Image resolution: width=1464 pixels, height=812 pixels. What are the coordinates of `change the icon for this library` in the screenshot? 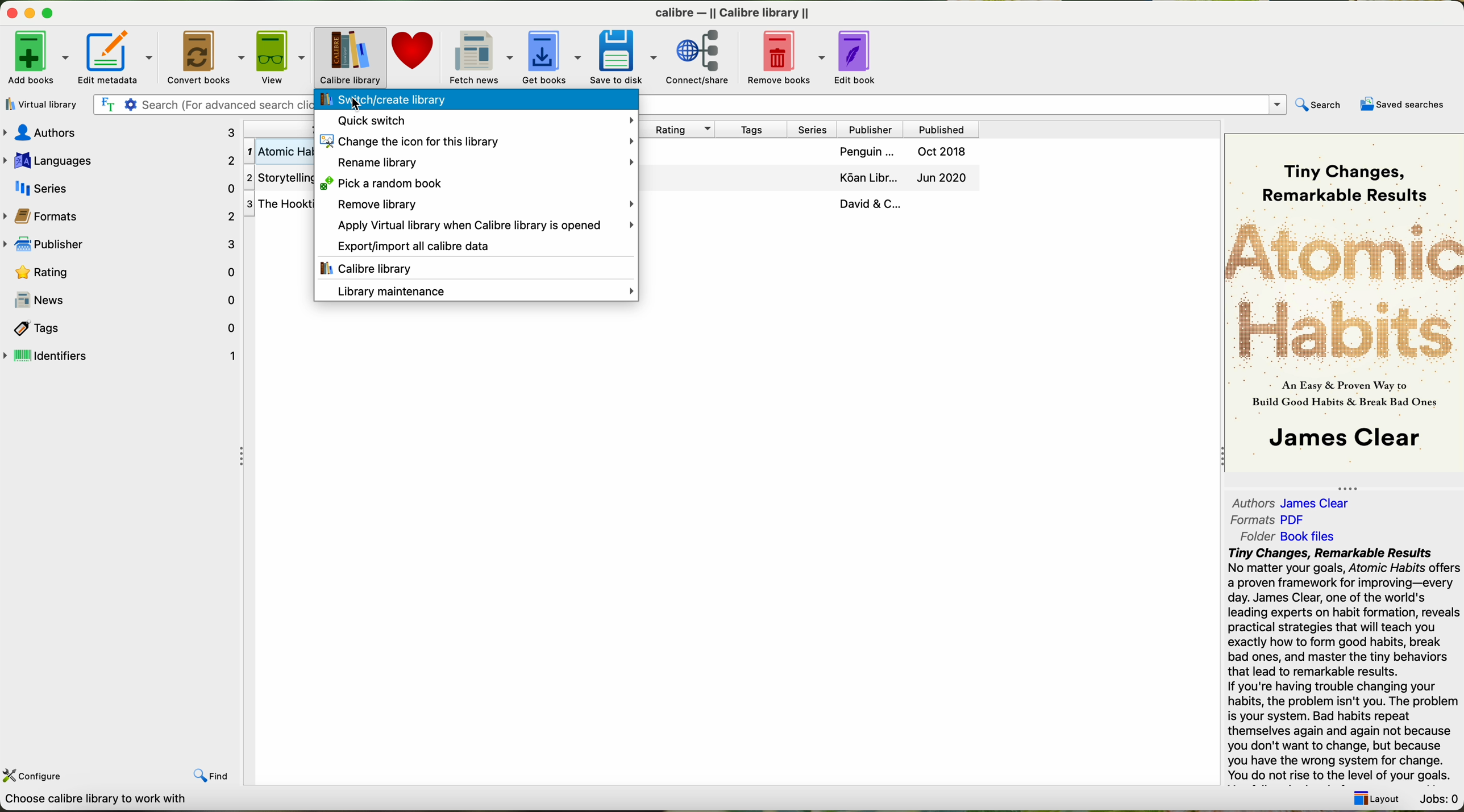 It's located at (476, 142).